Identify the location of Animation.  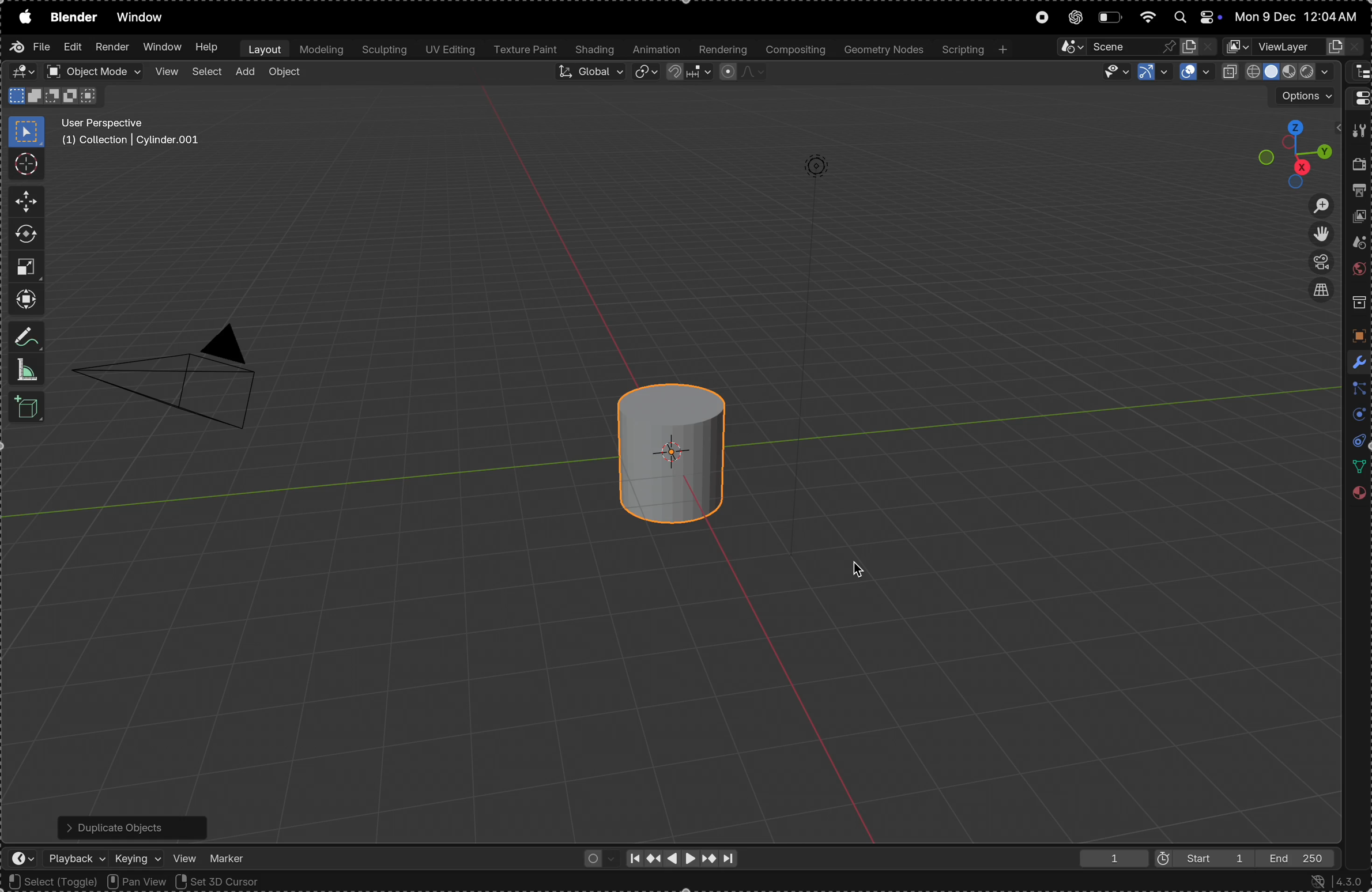
(657, 50).